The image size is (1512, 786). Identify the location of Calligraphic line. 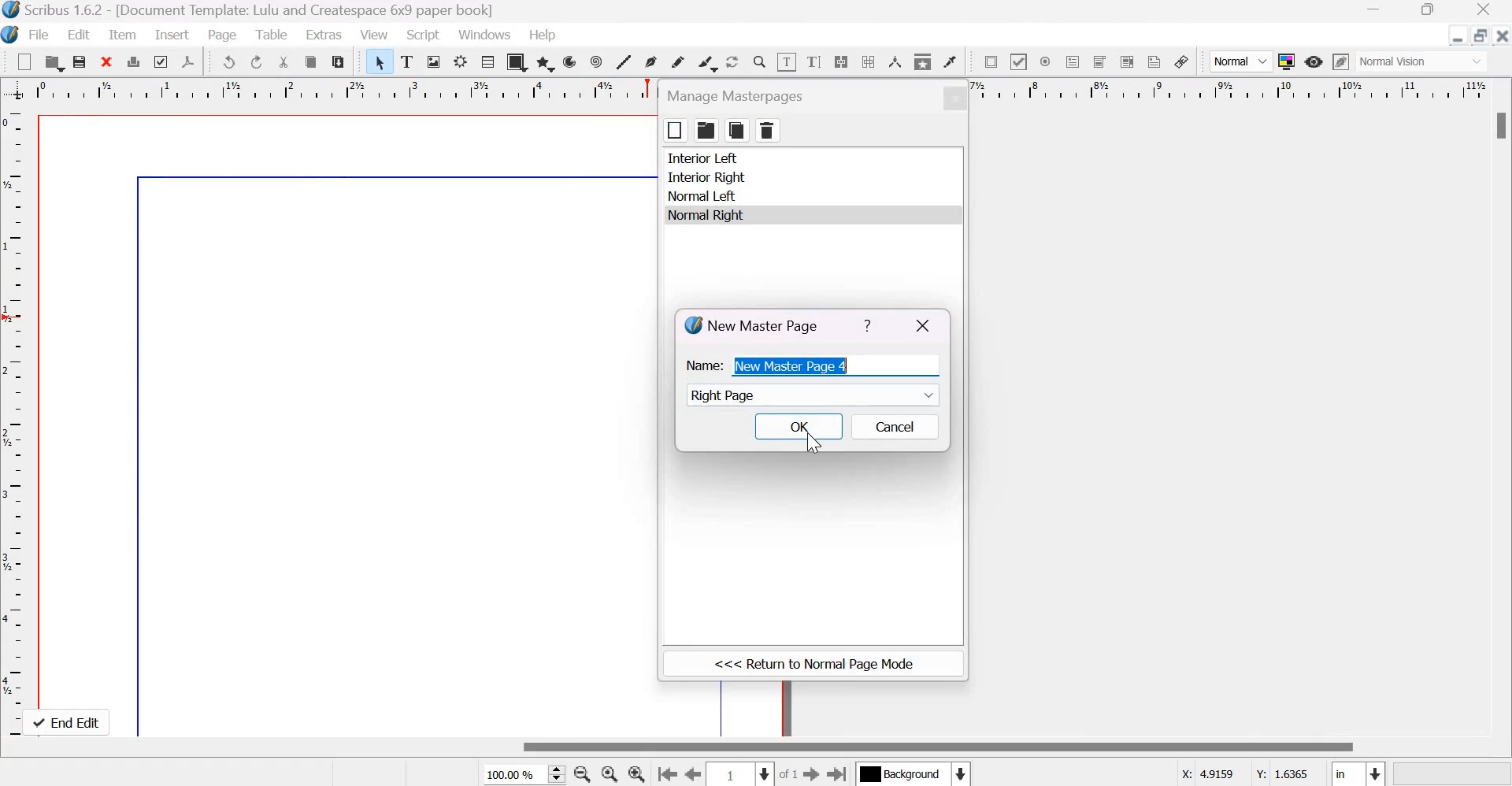
(707, 62).